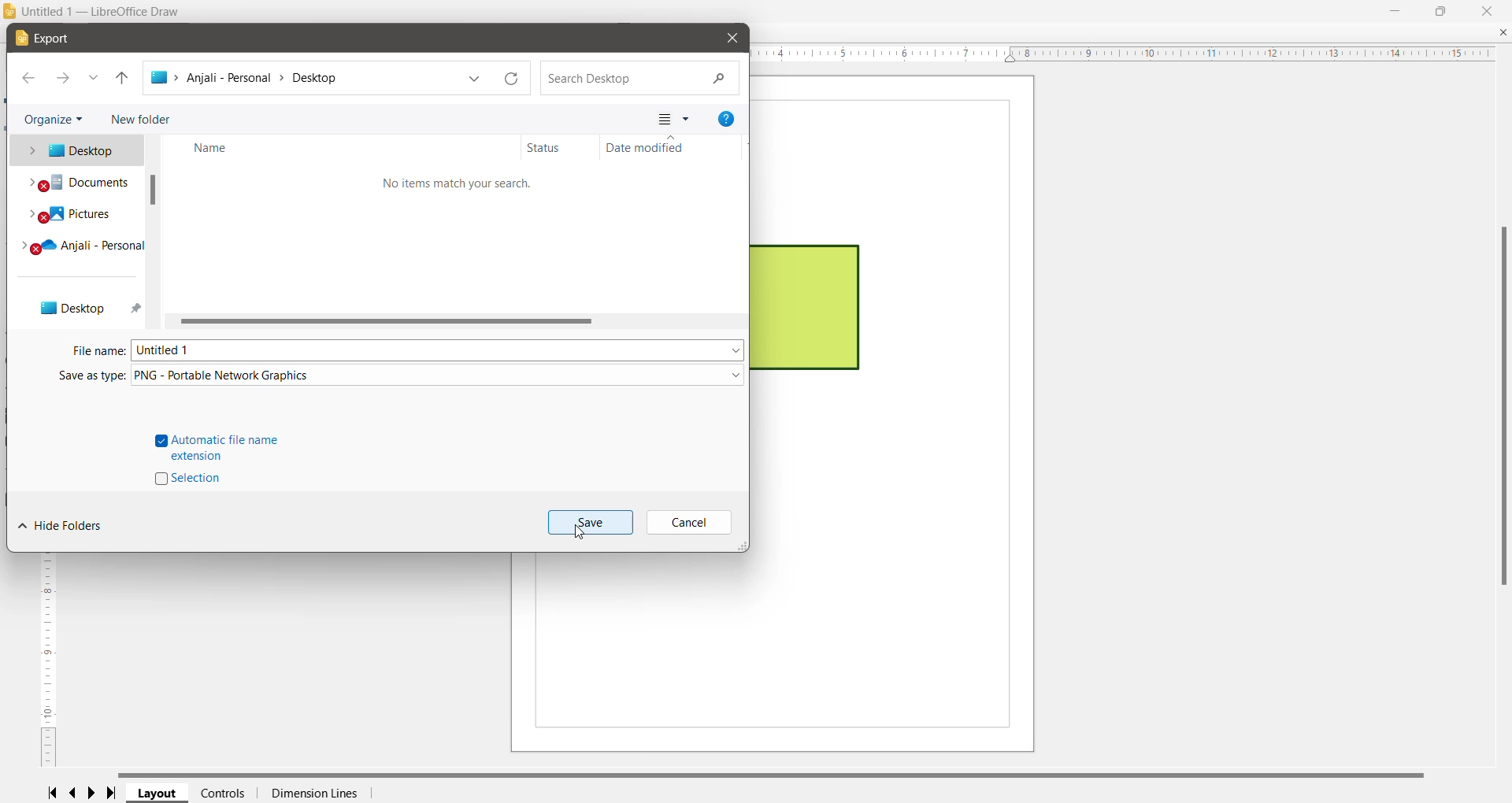 This screenshot has height=803, width=1512. What do you see at coordinates (459, 320) in the screenshot?
I see `Horizontal Scroll Bar` at bounding box center [459, 320].